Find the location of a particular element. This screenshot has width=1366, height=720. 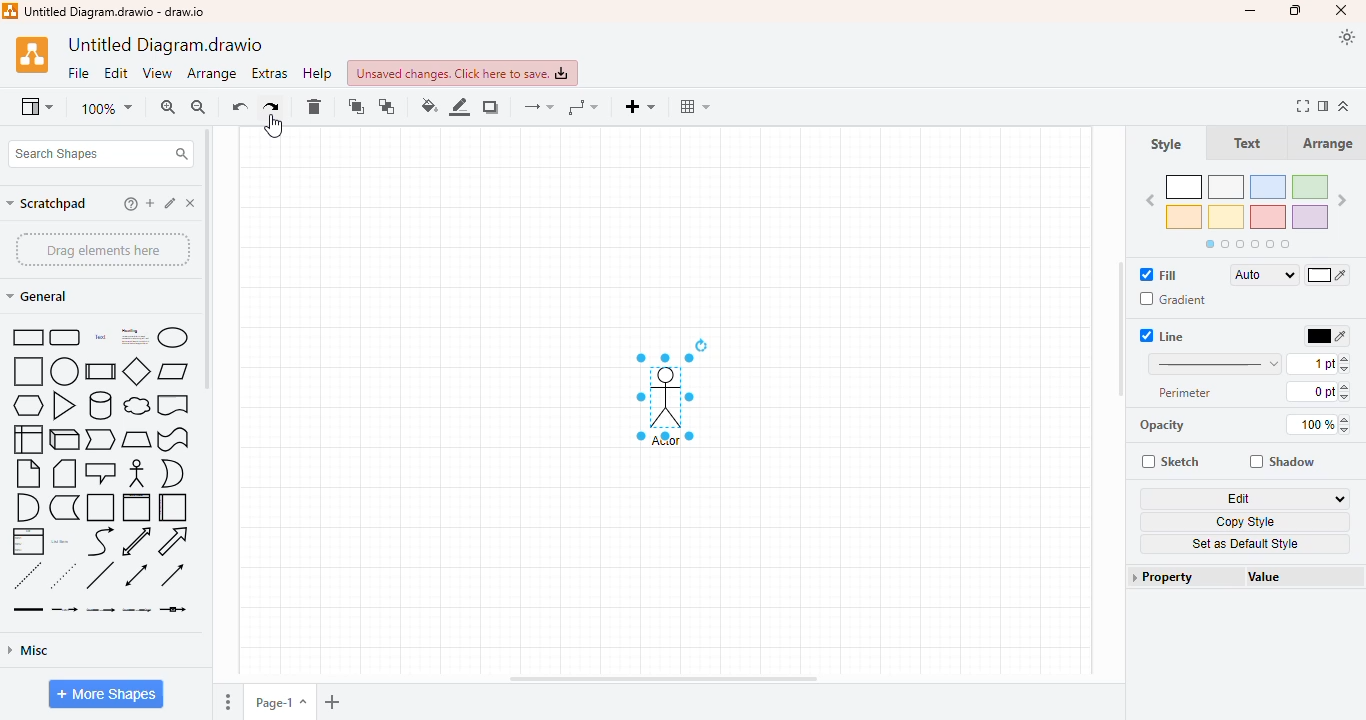

copy style is located at coordinates (1246, 522).